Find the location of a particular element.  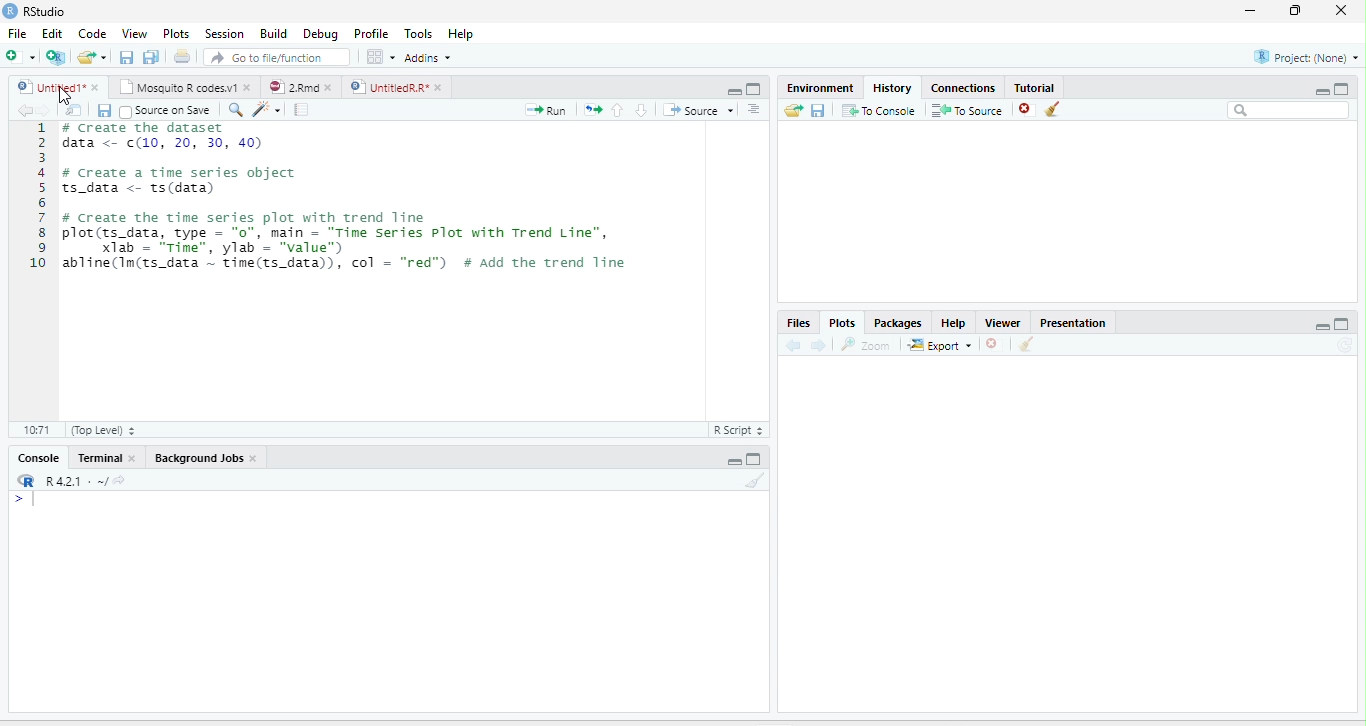

Find/Replace is located at coordinates (236, 110).